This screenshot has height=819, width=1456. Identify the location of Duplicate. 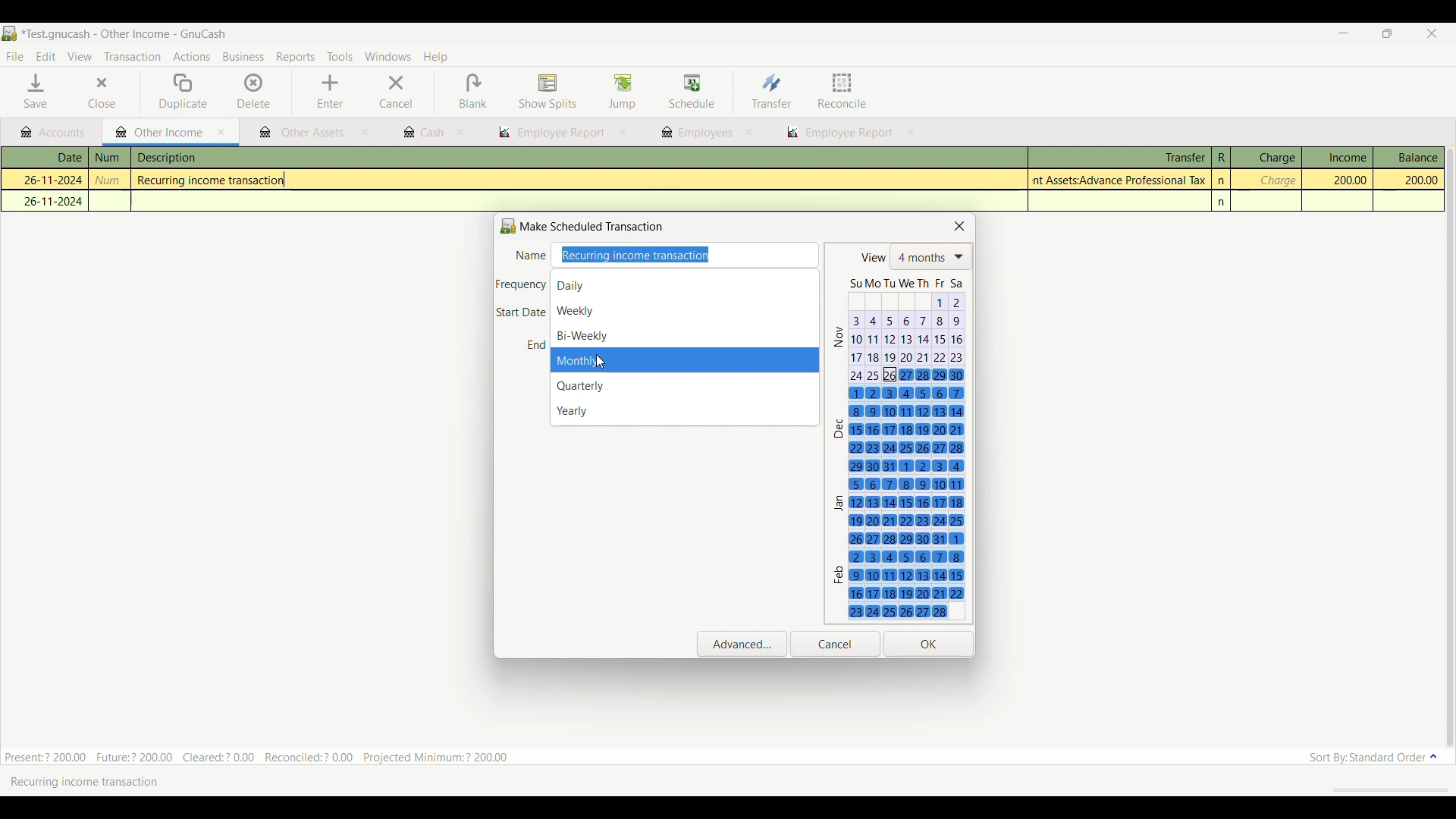
(184, 92).